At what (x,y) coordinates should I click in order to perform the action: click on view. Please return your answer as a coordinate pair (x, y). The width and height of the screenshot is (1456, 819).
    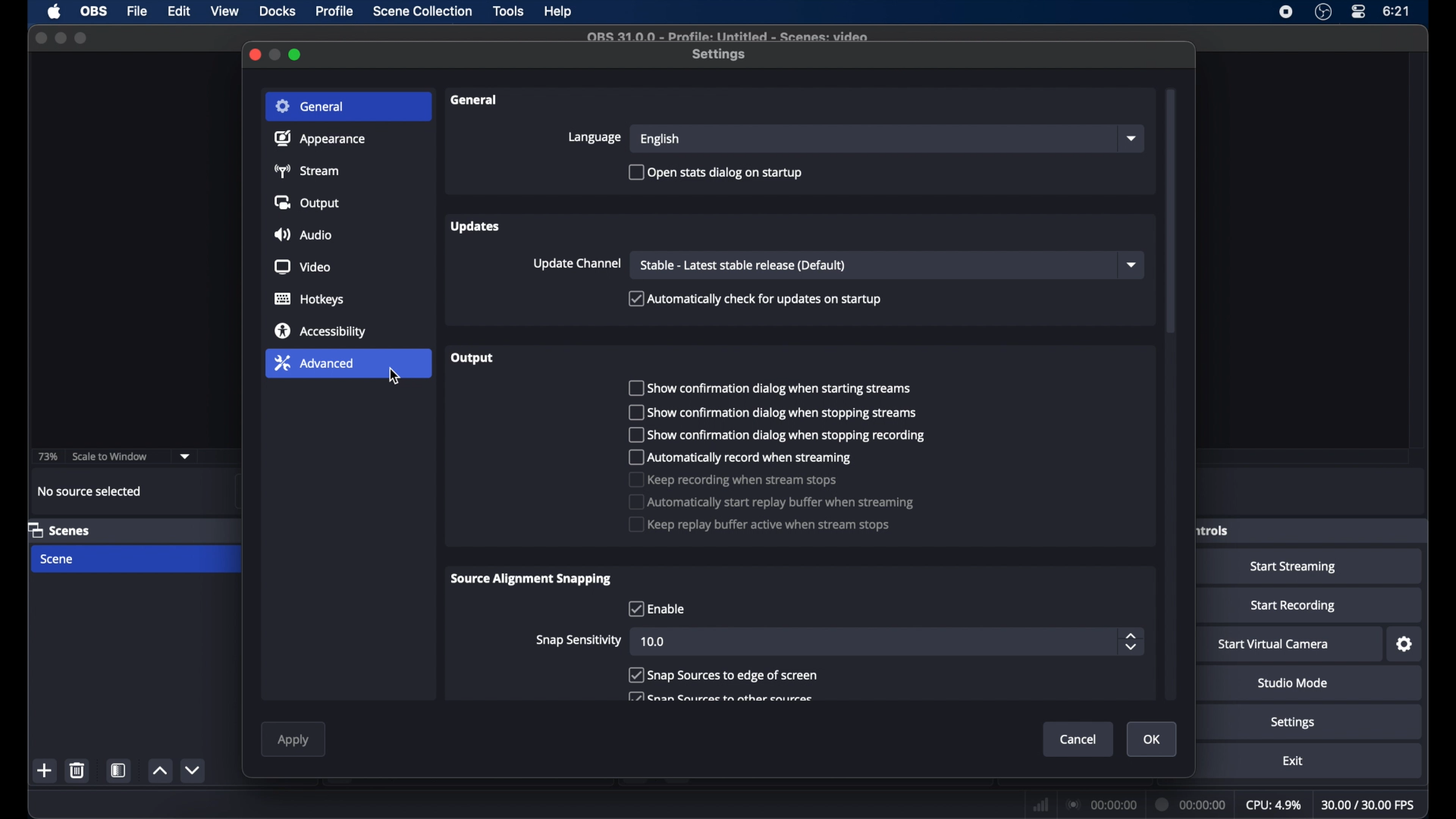
    Looking at the image, I should click on (224, 12).